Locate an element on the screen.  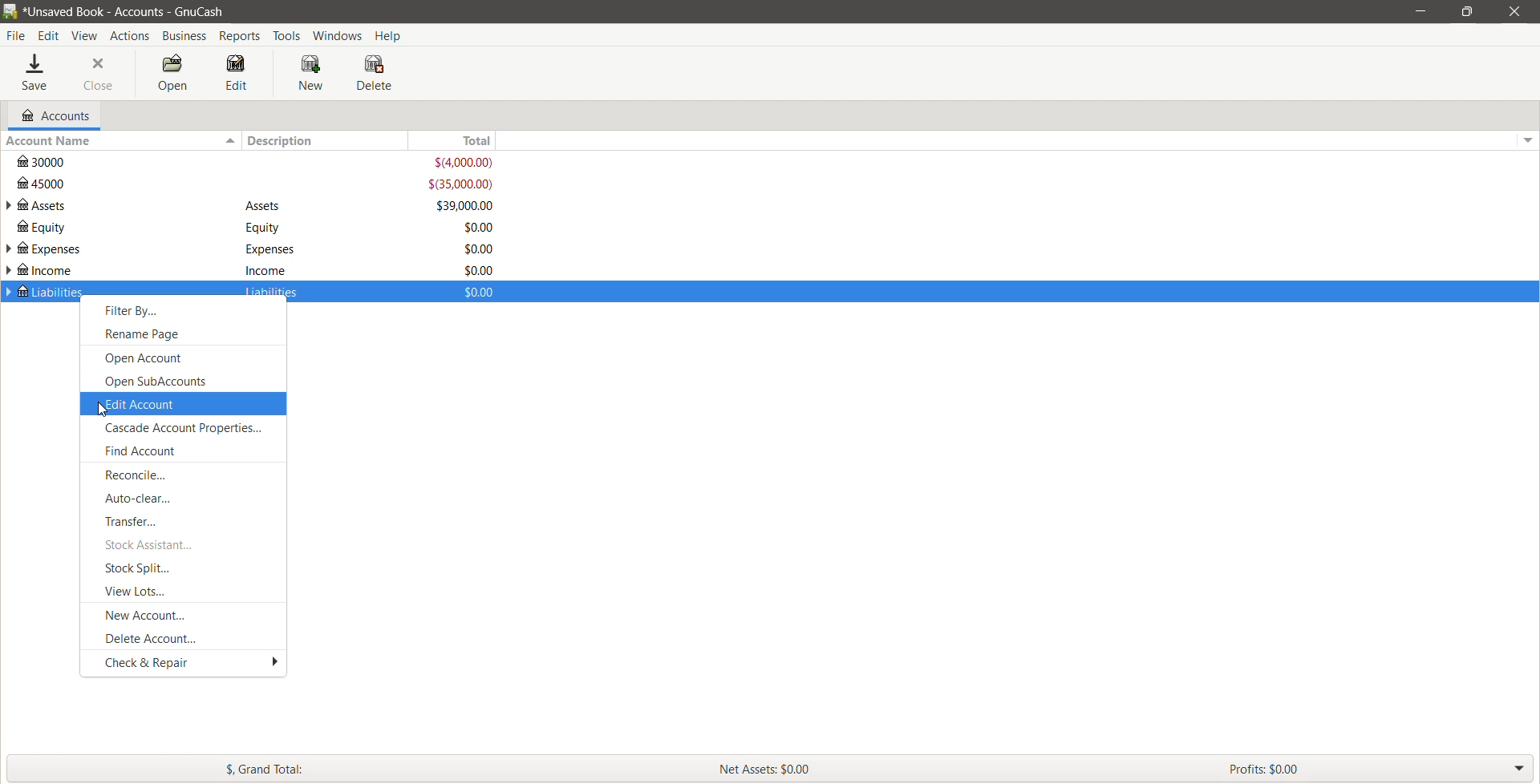
Delete is located at coordinates (376, 73).